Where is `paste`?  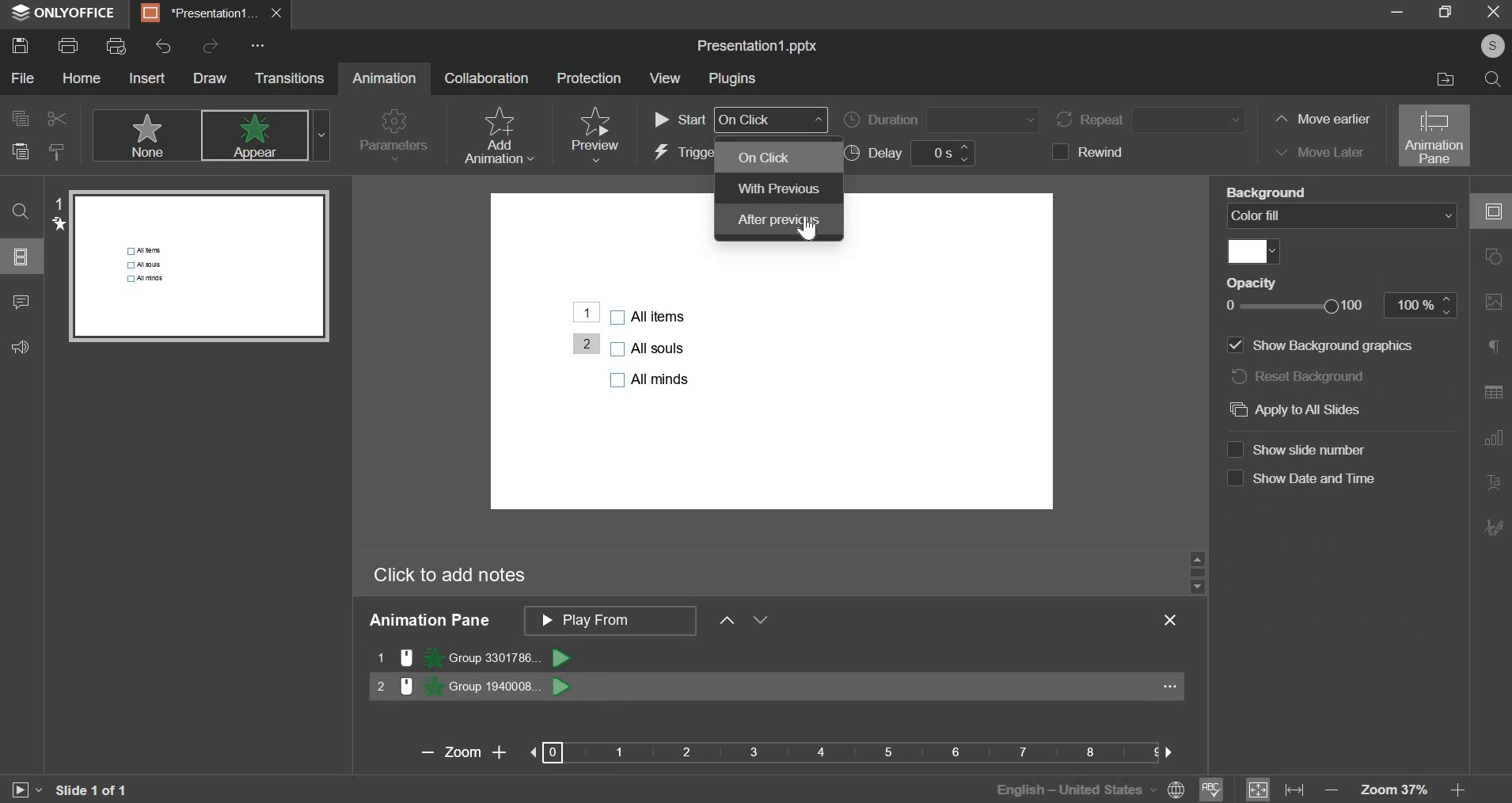
paste is located at coordinates (20, 153).